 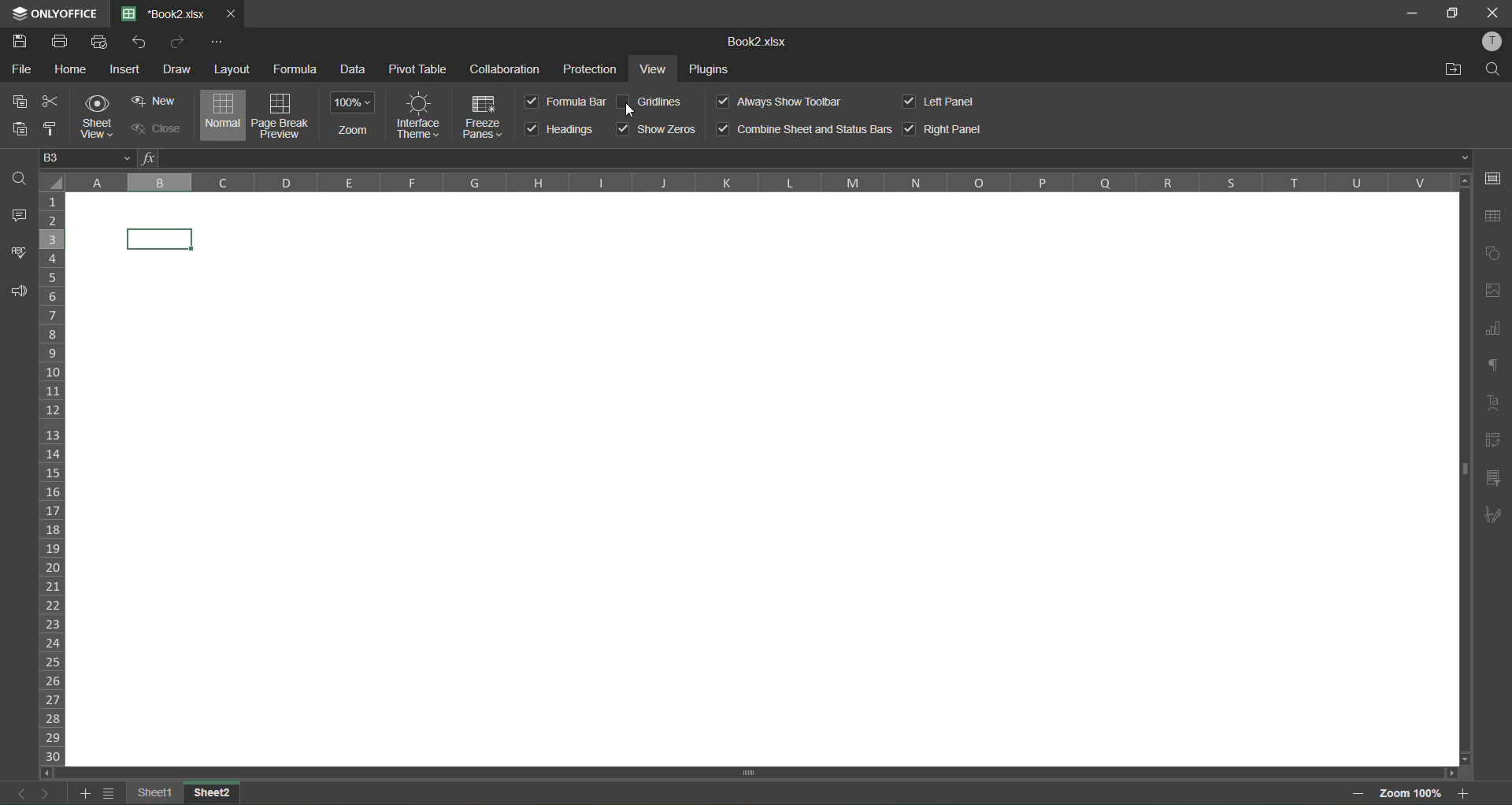 What do you see at coordinates (176, 43) in the screenshot?
I see `redo` at bounding box center [176, 43].